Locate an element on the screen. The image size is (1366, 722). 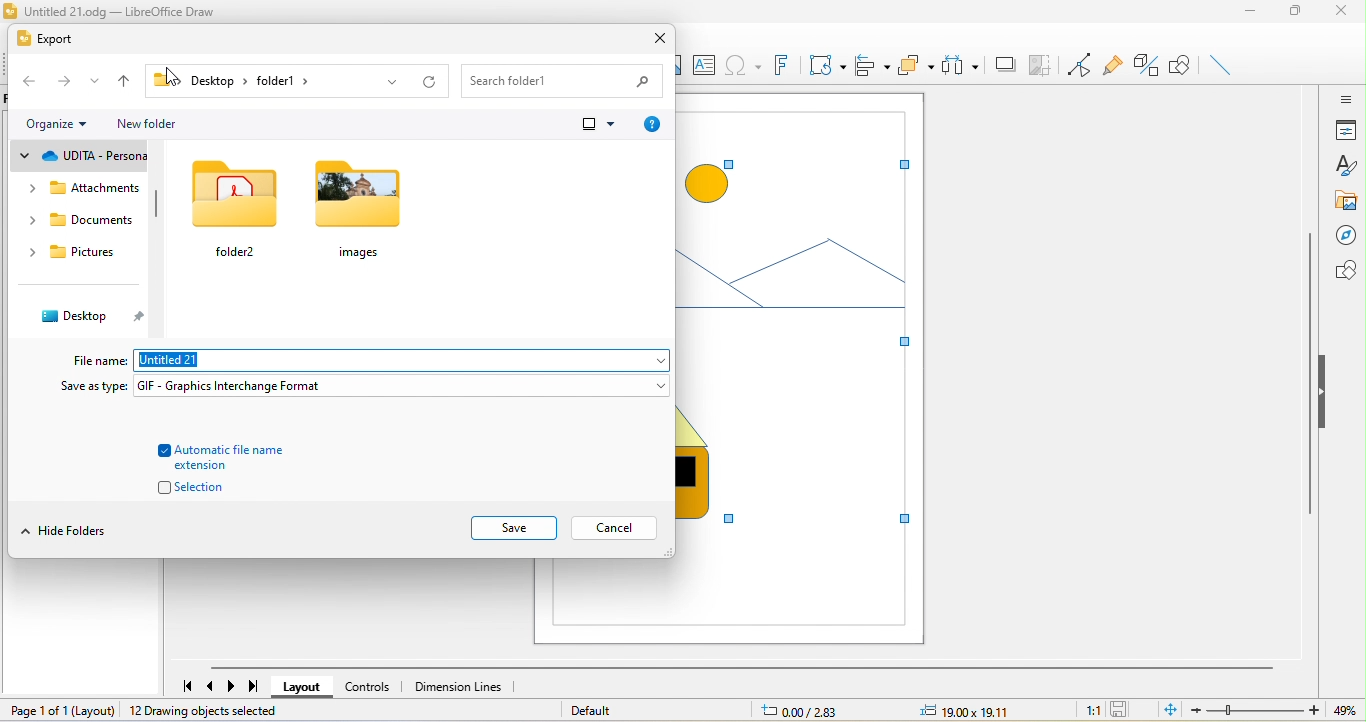
default is located at coordinates (593, 710).